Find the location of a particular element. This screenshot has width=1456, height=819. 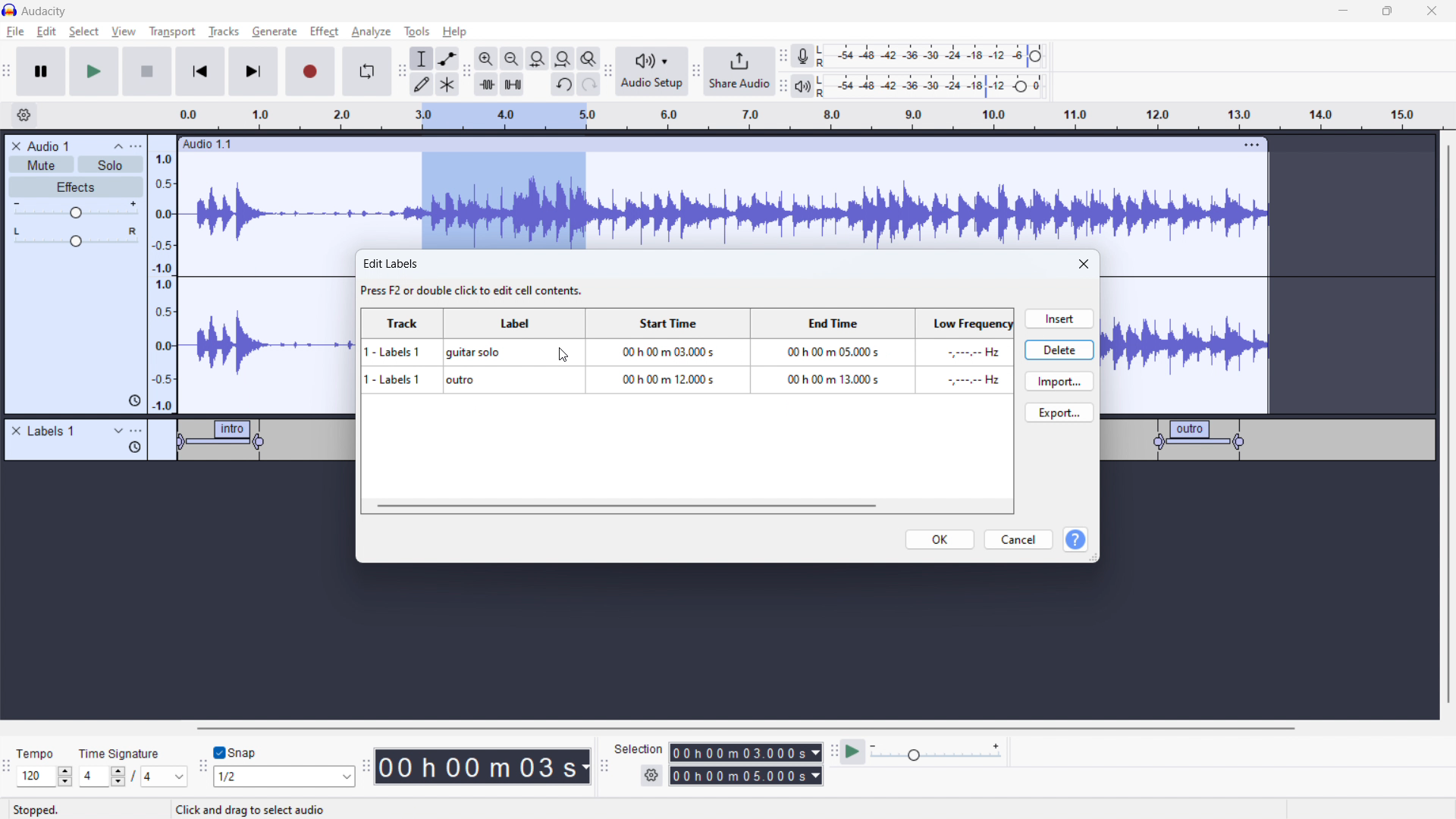

tempo is located at coordinates (45, 753).